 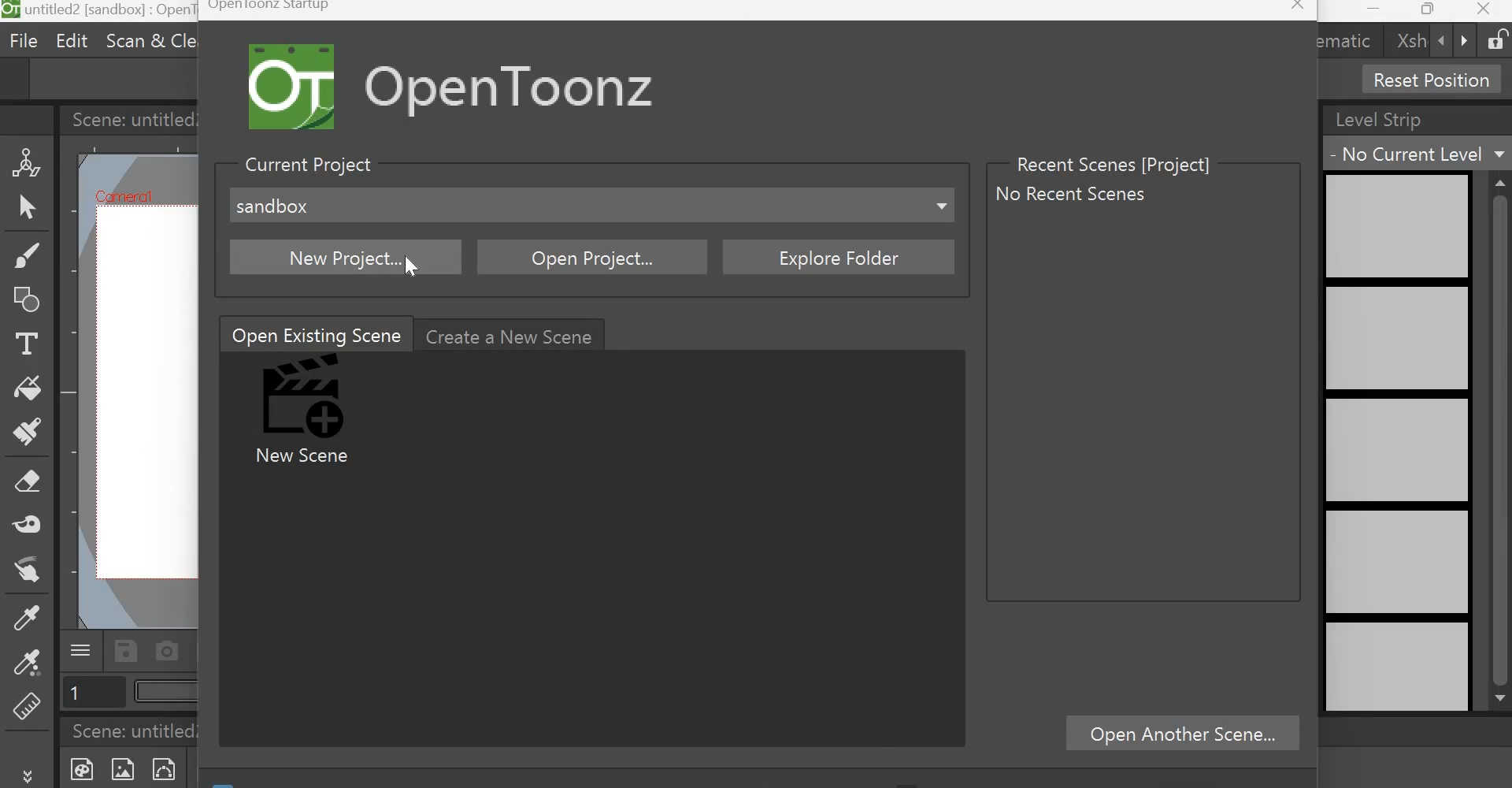 I want to click on Logo, so click(x=296, y=87).